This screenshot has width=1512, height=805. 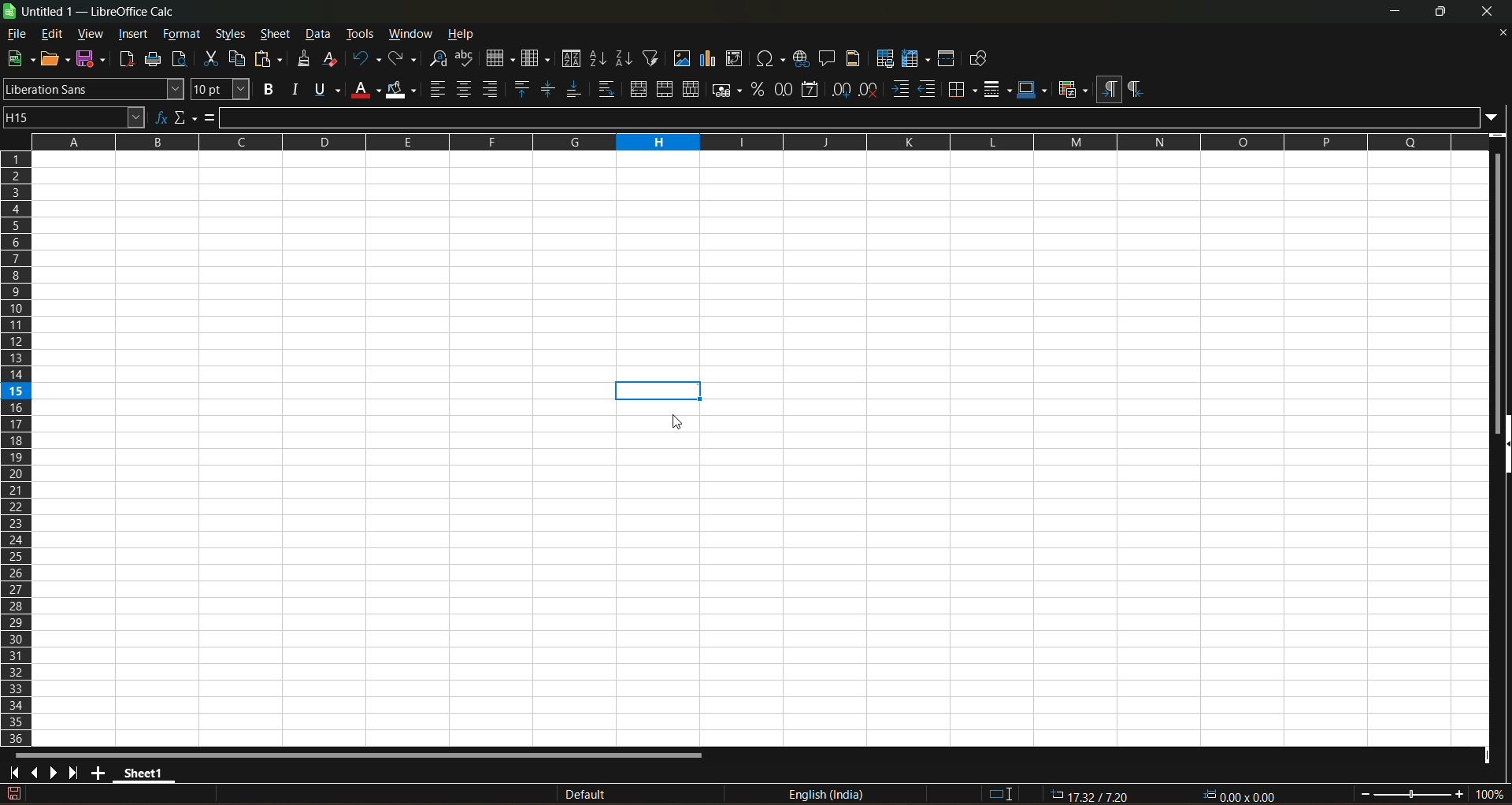 I want to click on scroll to first sheet, so click(x=15, y=773).